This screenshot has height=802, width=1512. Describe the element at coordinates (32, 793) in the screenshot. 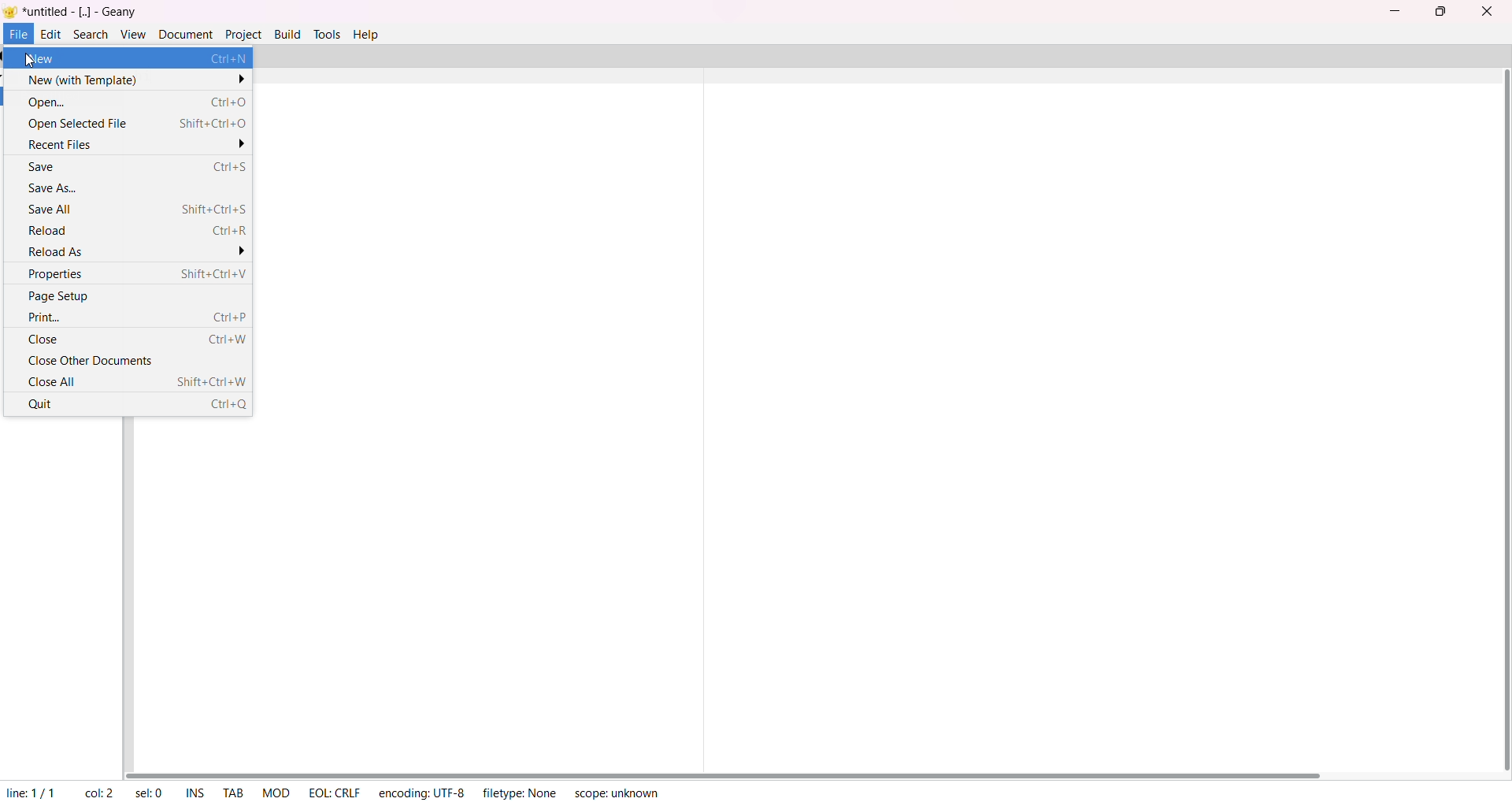

I see `line 1/1` at that location.